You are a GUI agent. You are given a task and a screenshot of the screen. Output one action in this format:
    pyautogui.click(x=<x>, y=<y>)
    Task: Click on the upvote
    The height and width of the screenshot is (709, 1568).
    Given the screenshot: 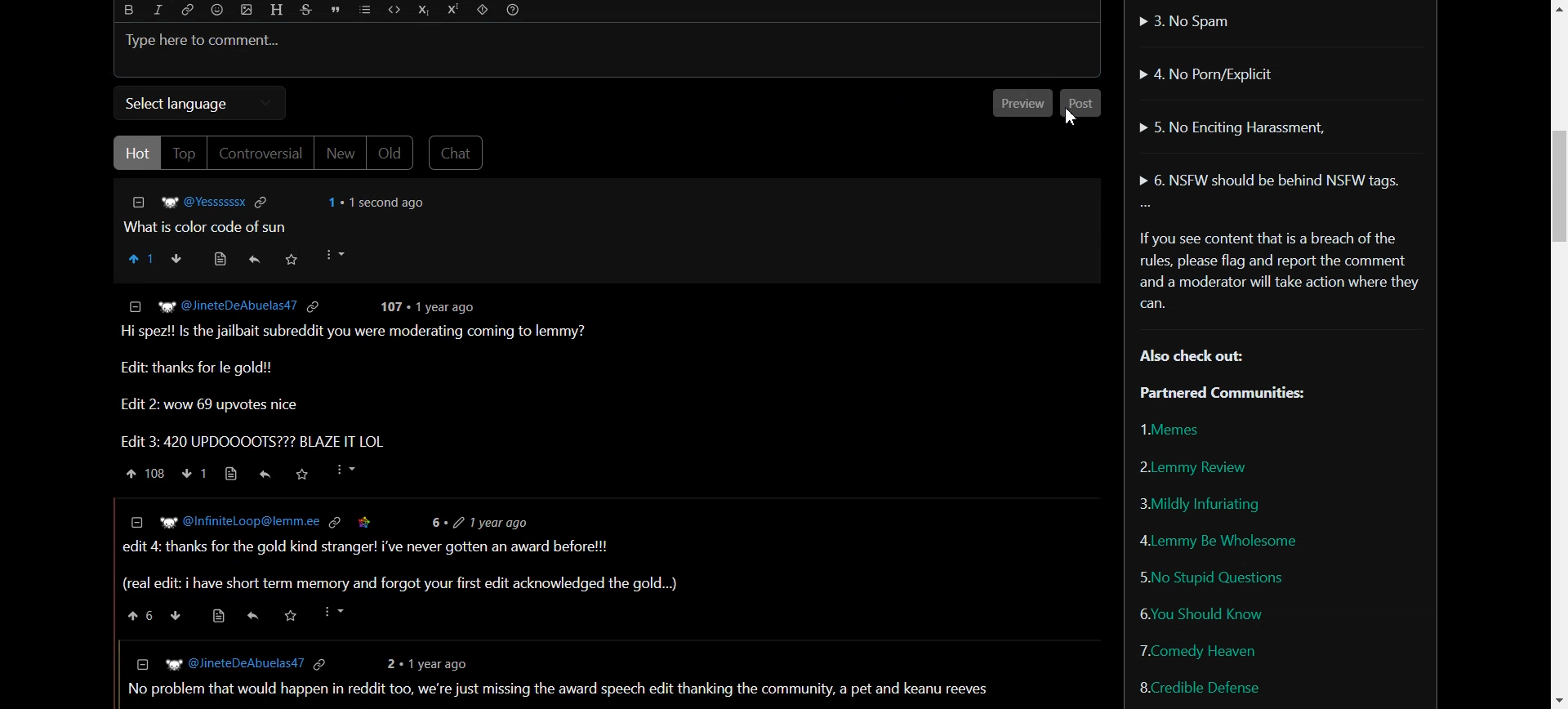 What is the action you would take?
    pyautogui.click(x=146, y=618)
    